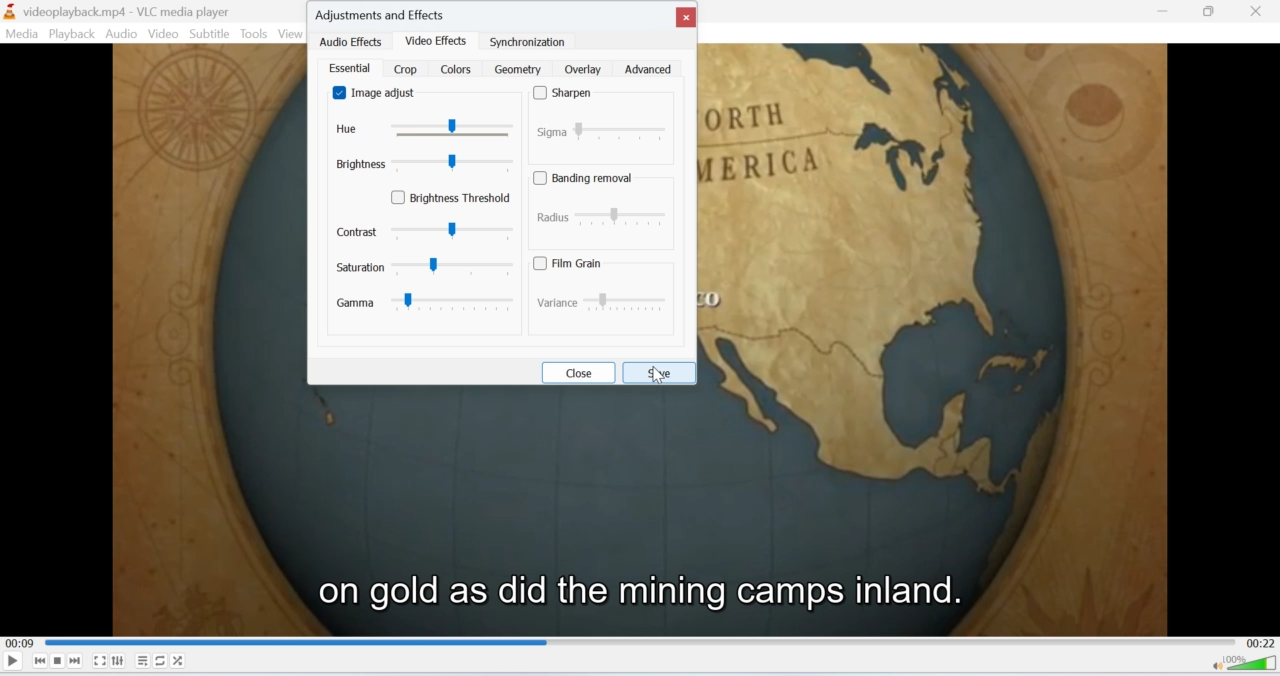  I want to click on Media, so click(22, 34).